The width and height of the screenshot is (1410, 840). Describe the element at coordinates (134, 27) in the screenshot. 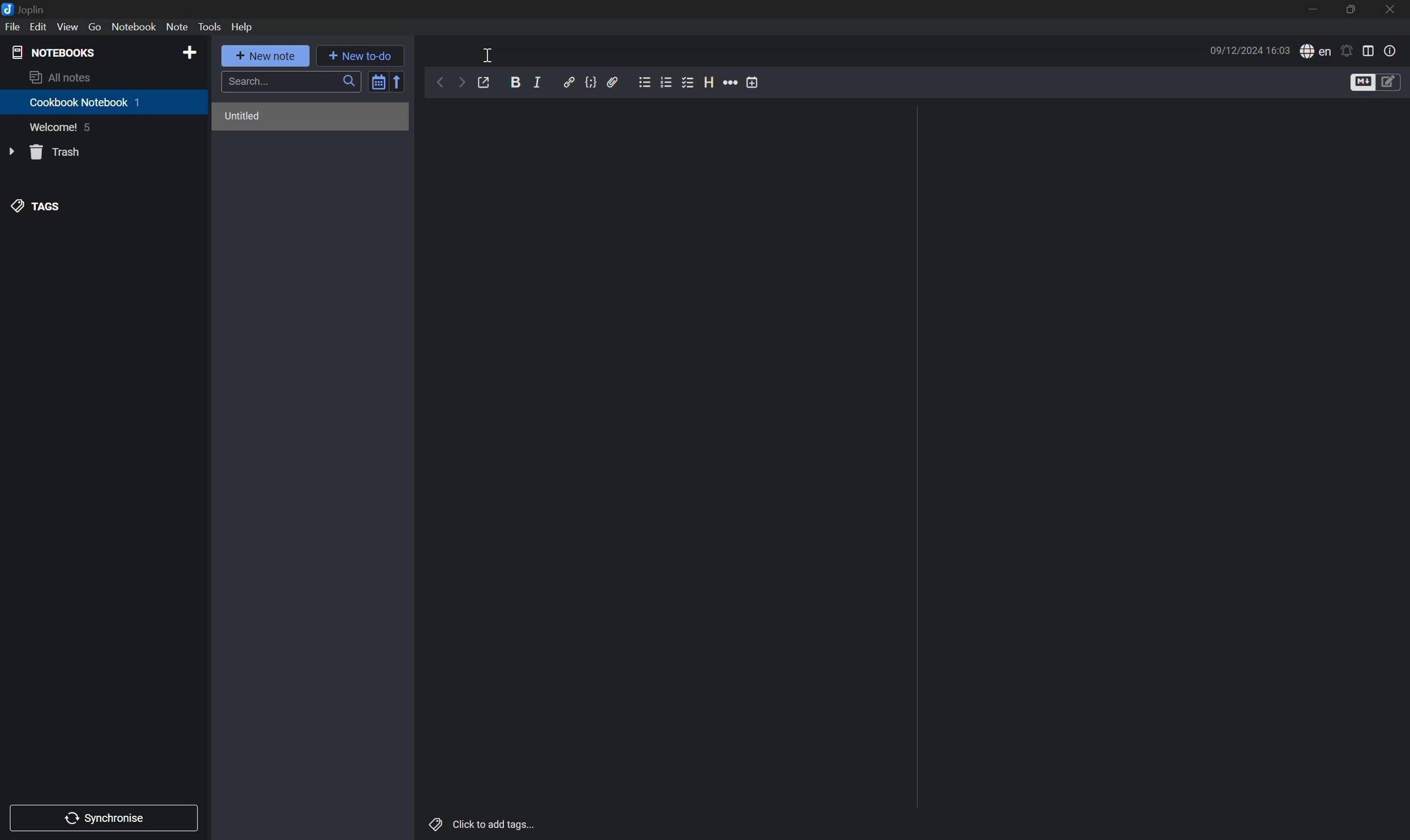

I see `Notebook` at that location.